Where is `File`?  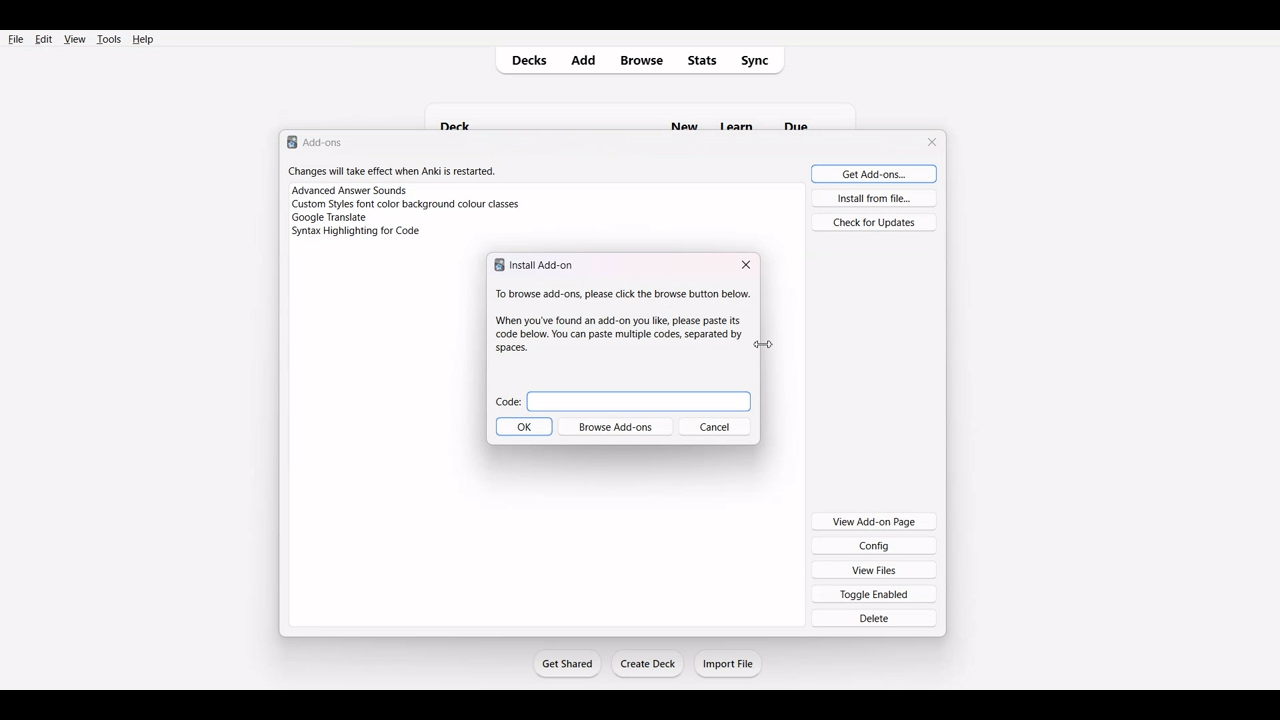 File is located at coordinates (16, 38).